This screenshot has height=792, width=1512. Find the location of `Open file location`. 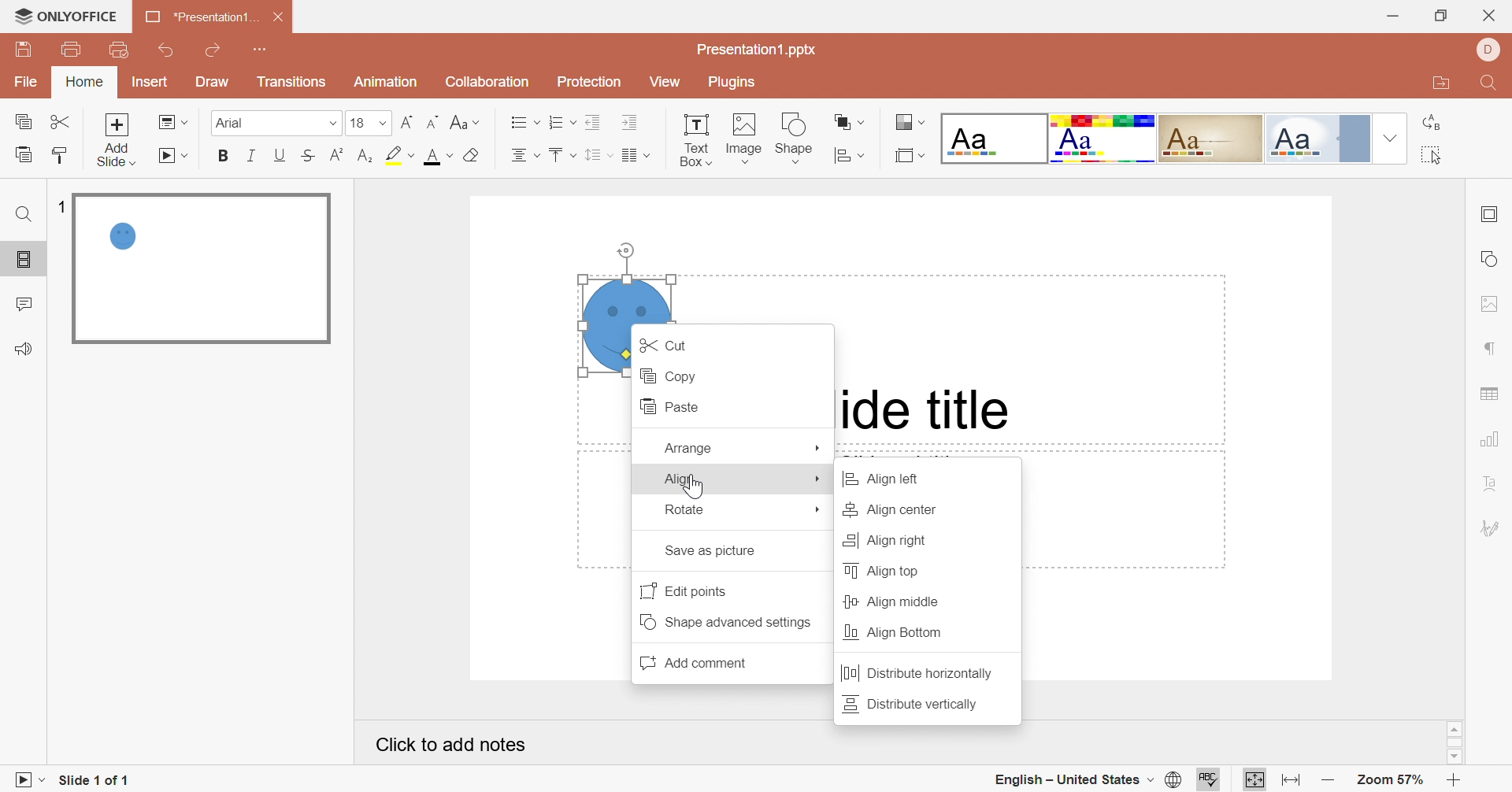

Open file location is located at coordinates (1437, 85).